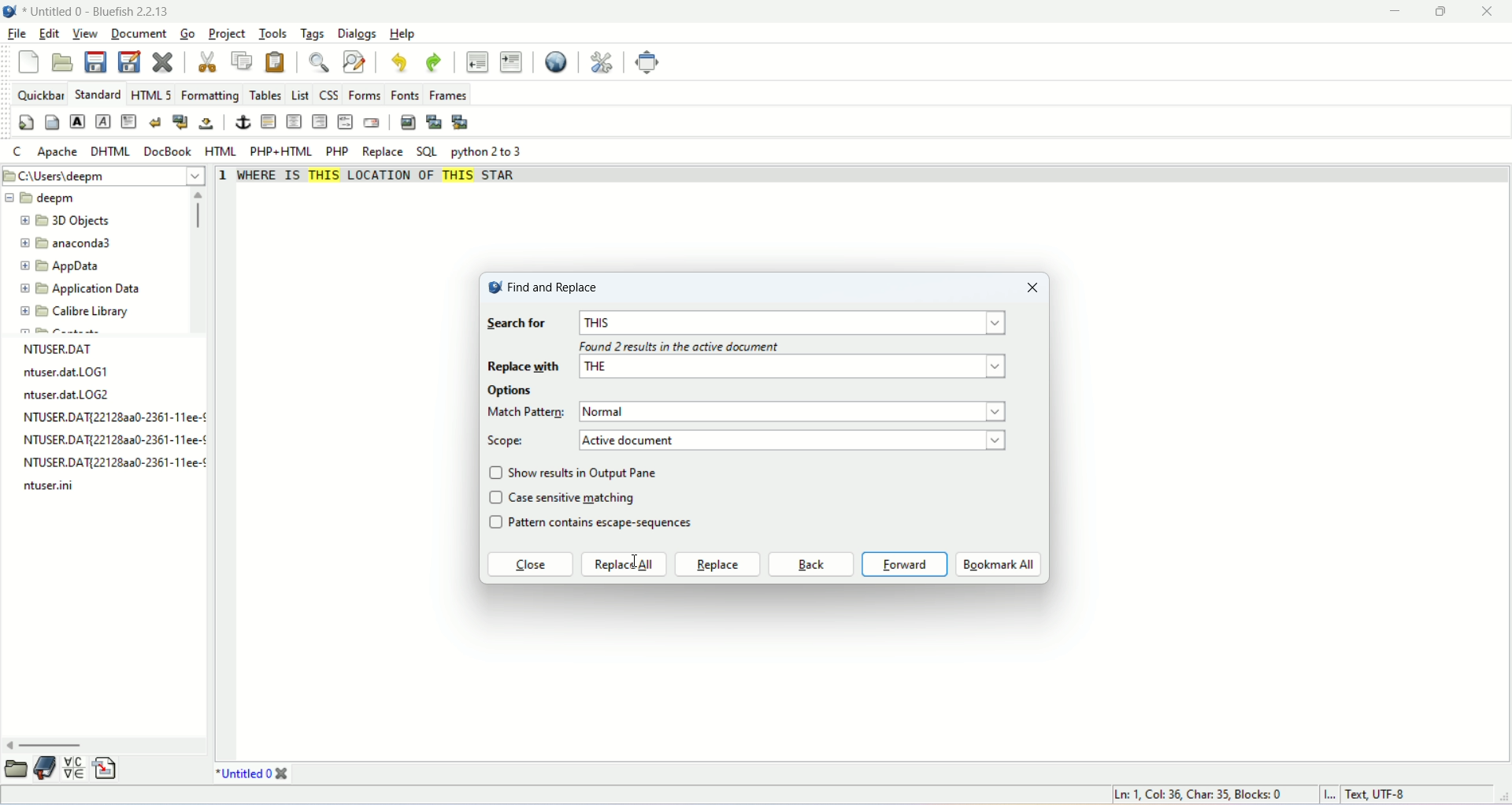  What do you see at coordinates (77, 122) in the screenshot?
I see `strong` at bounding box center [77, 122].